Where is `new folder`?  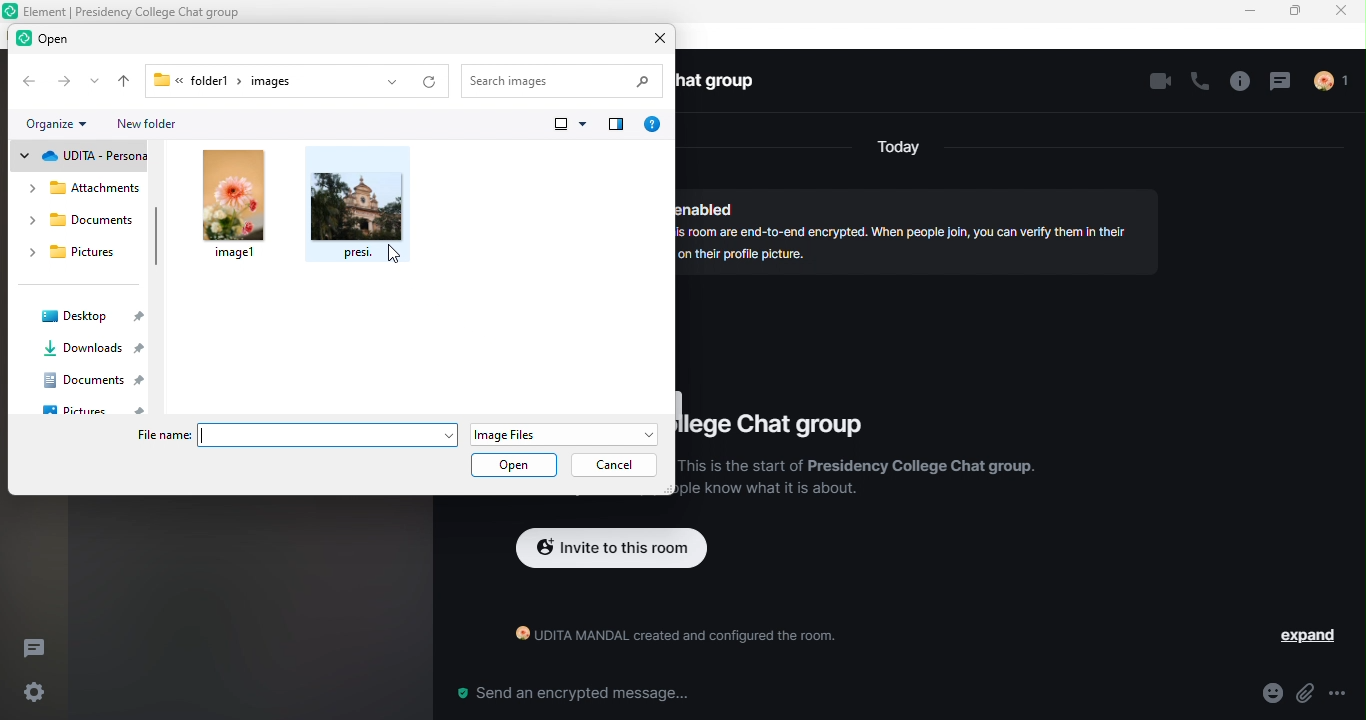
new folder is located at coordinates (159, 126).